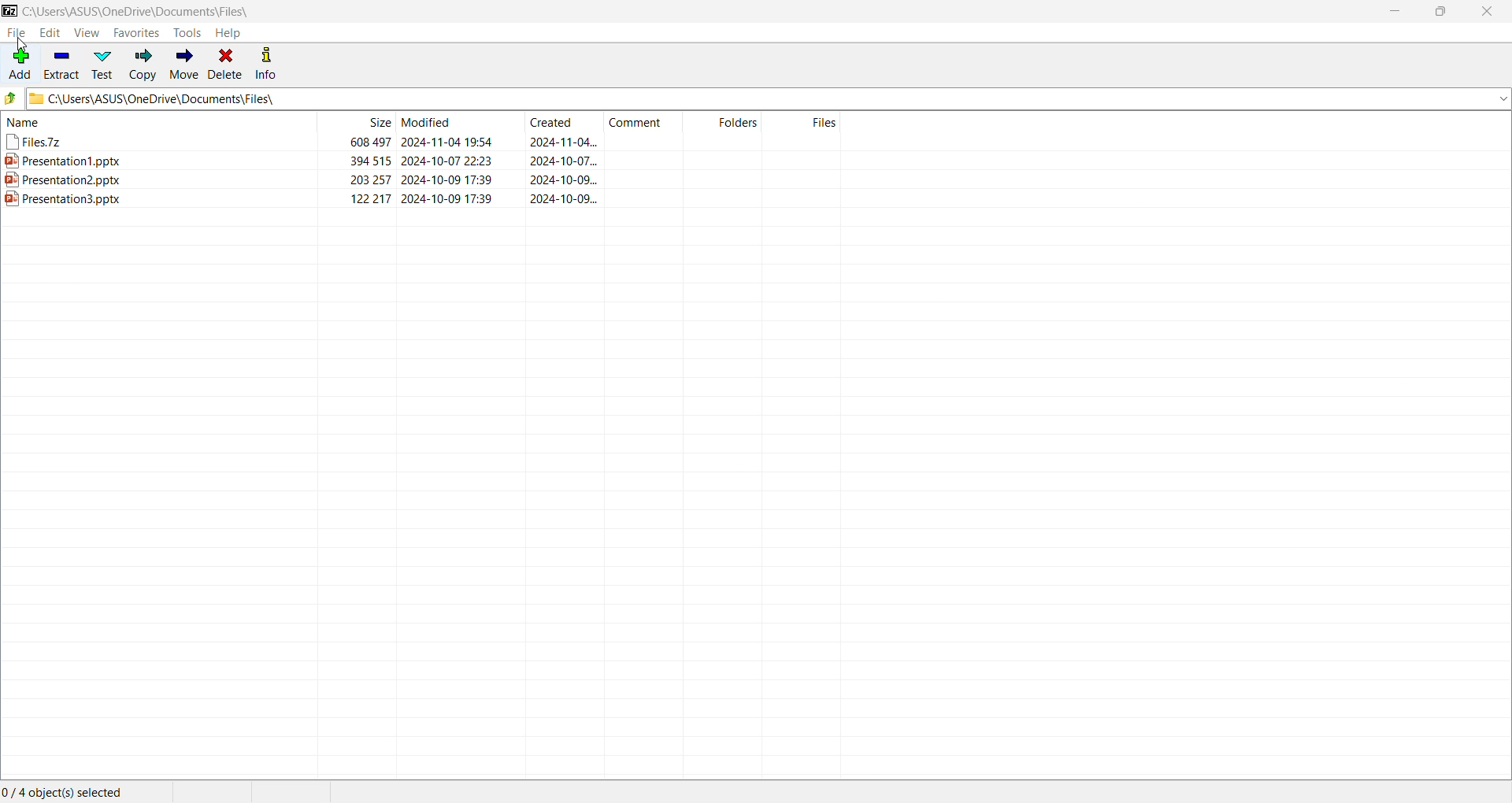 This screenshot has height=803, width=1512. What do you see at coordinates (104, 65) in the screenshot?
I see `Test` at bounding box center [104, 65].